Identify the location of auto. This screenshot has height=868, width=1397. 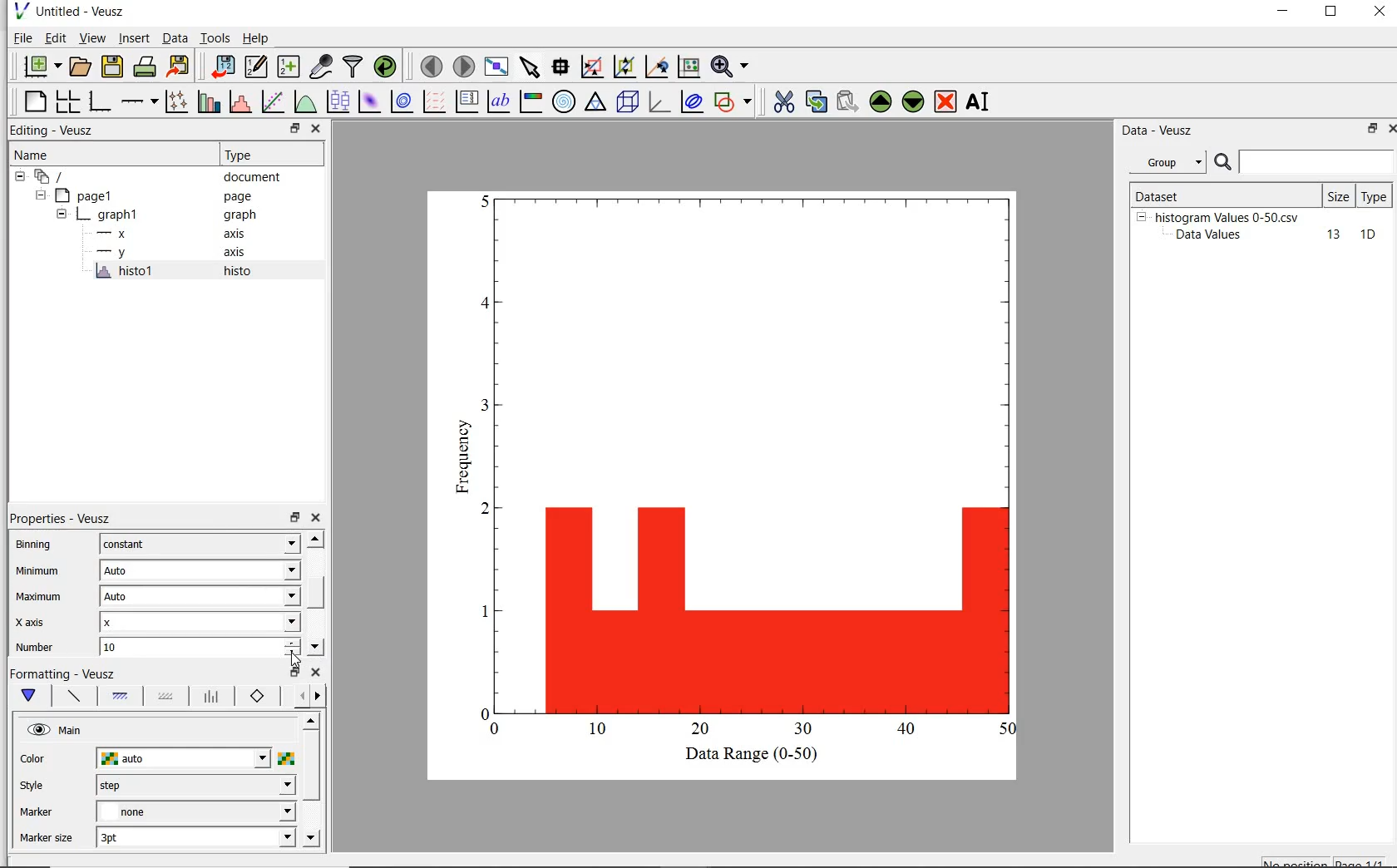
(199, 597).